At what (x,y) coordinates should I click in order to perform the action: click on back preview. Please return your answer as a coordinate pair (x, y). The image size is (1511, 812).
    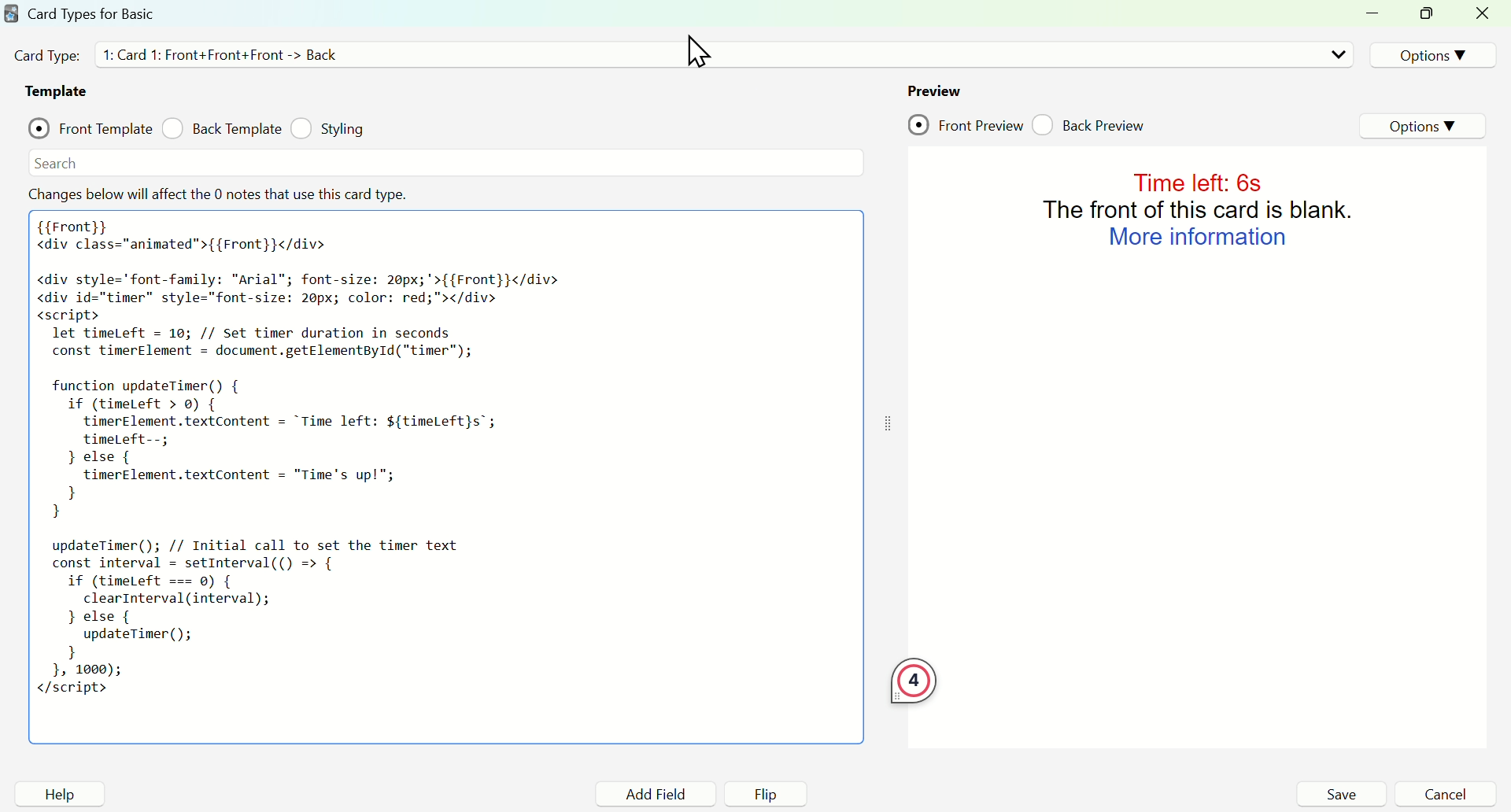
    Looking at the image, I should click on (1093, 124).